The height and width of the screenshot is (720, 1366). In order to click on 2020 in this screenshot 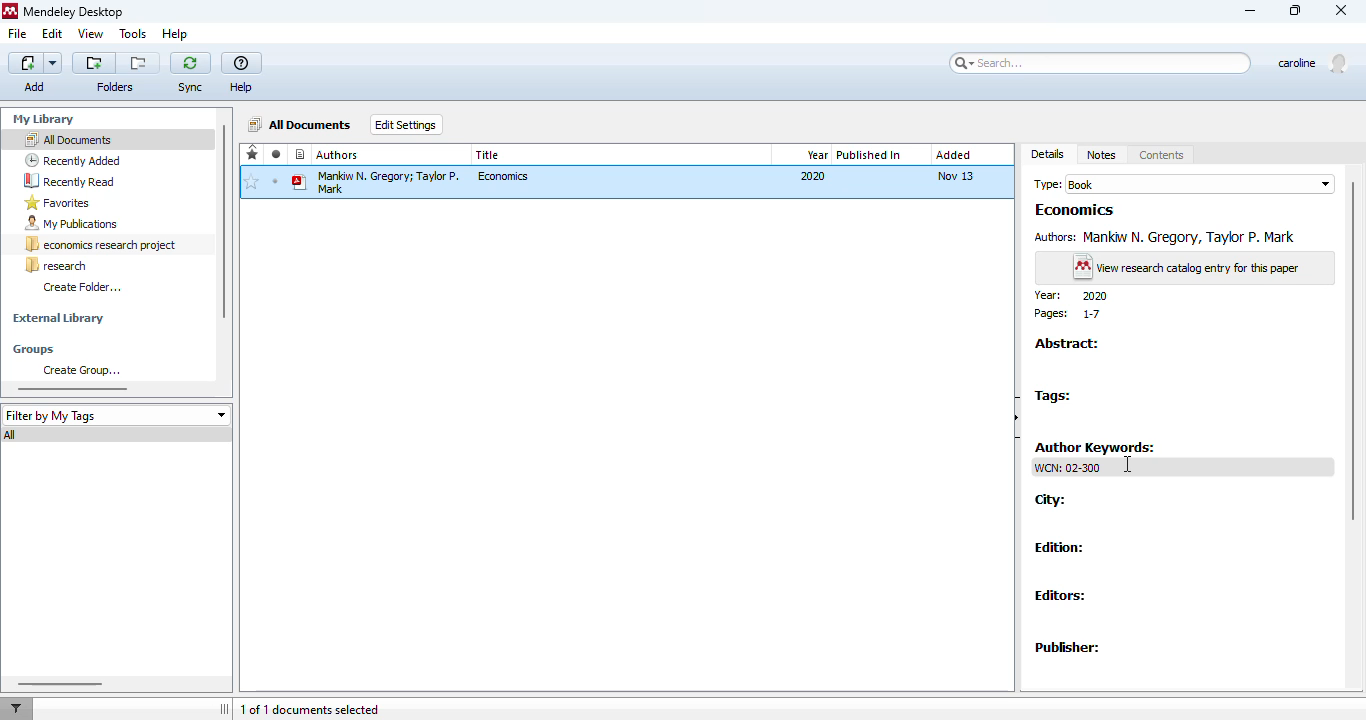, I will do `click(814, 176)`.